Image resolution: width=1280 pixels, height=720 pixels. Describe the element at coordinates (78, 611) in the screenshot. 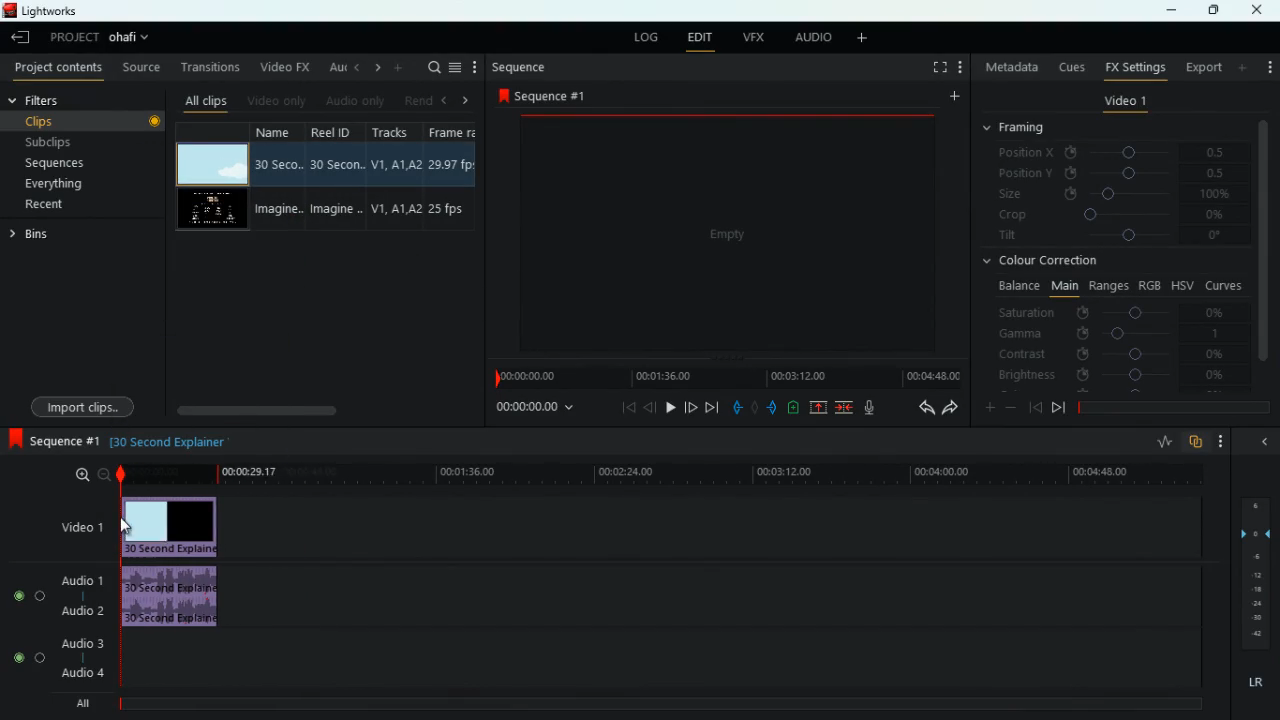

I see `audio 2` at that location.